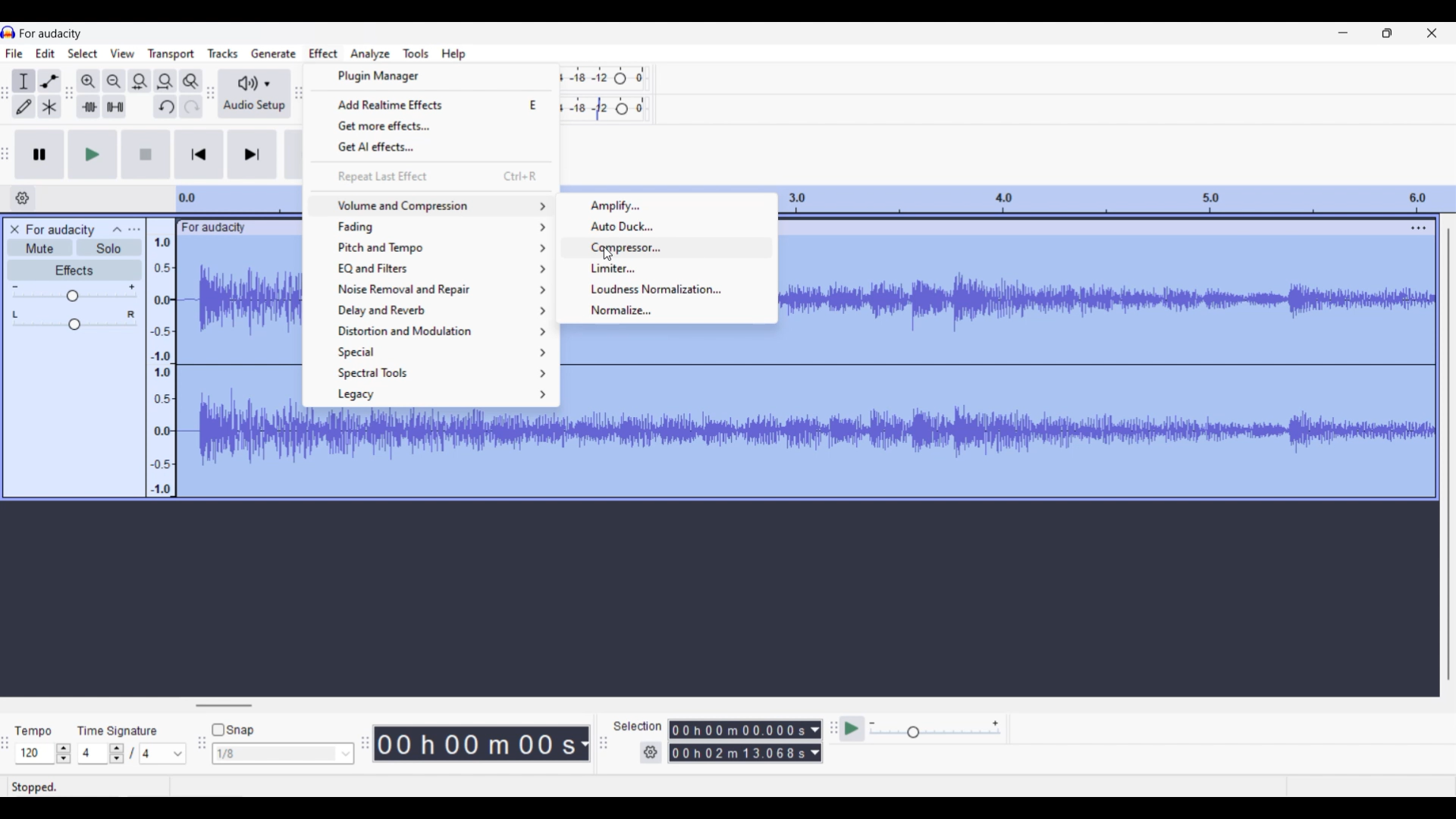 Image resolution: width=1456 pixels, height=819 pixels. What do you see at coordinates (1432, 33) in the screenshot?
I see `Close interface` at bounding box center [1432, 33].